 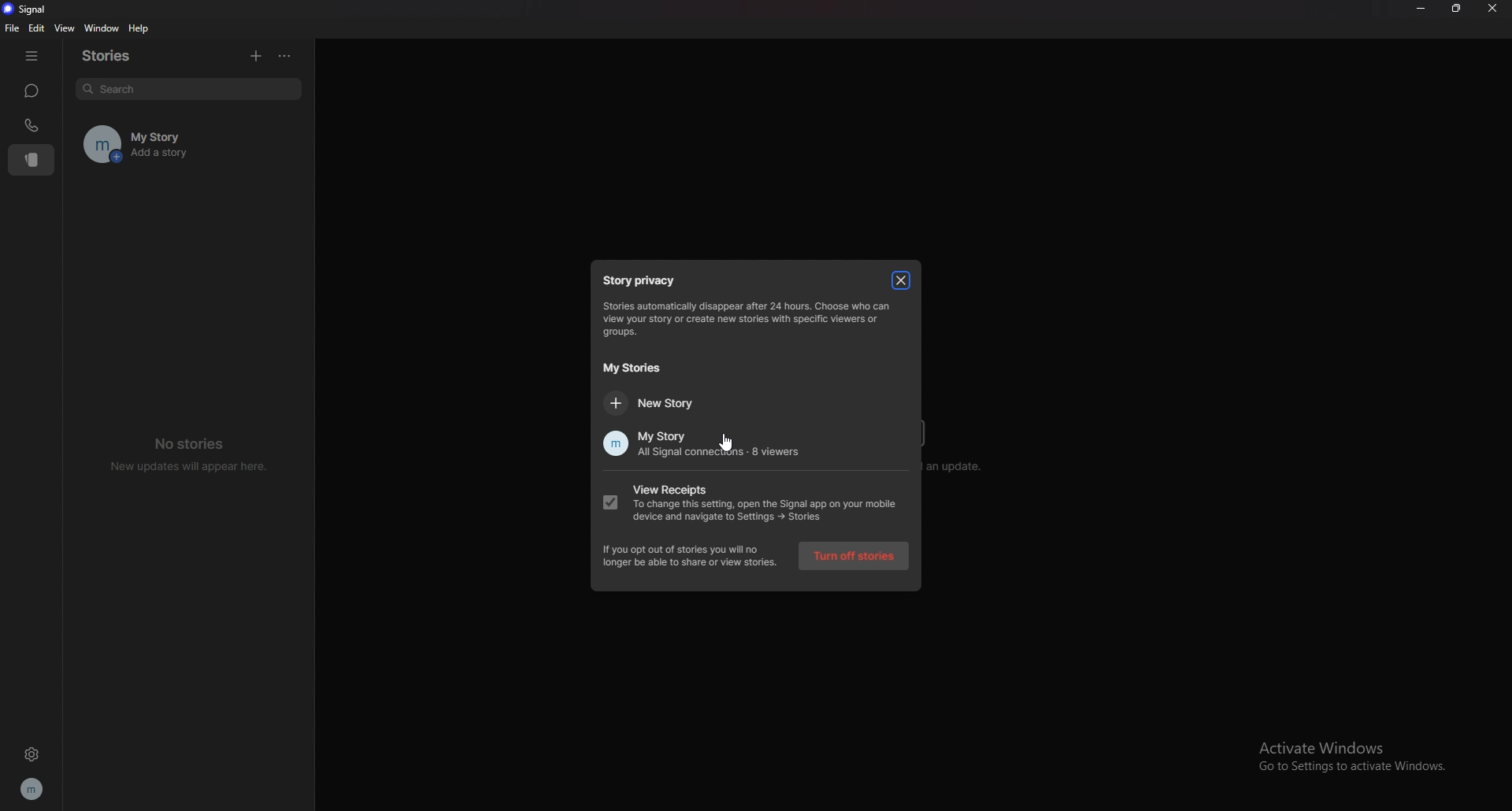 I want to click on search, so click(x=176, y=87).